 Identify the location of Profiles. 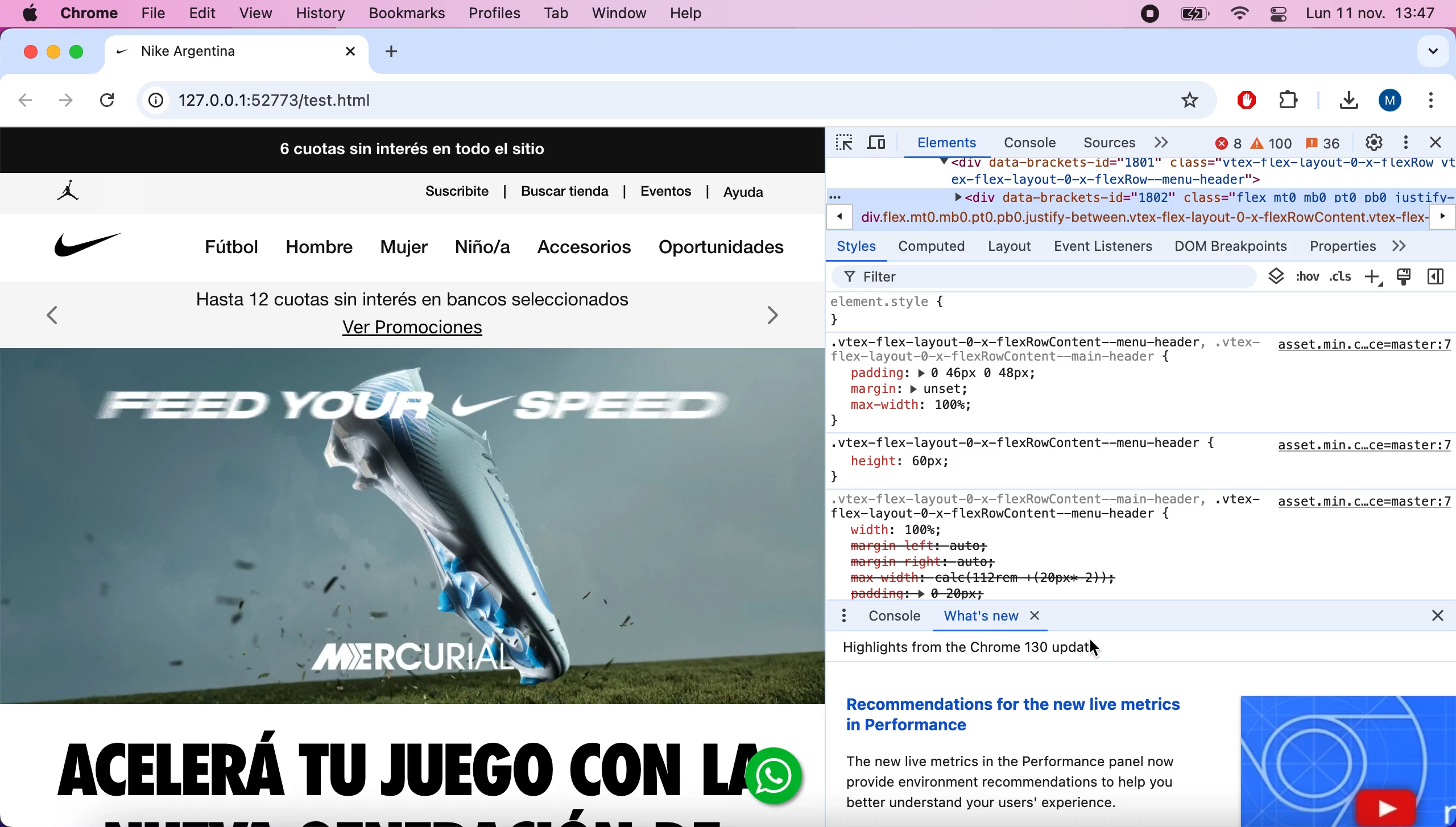
(494, 14).